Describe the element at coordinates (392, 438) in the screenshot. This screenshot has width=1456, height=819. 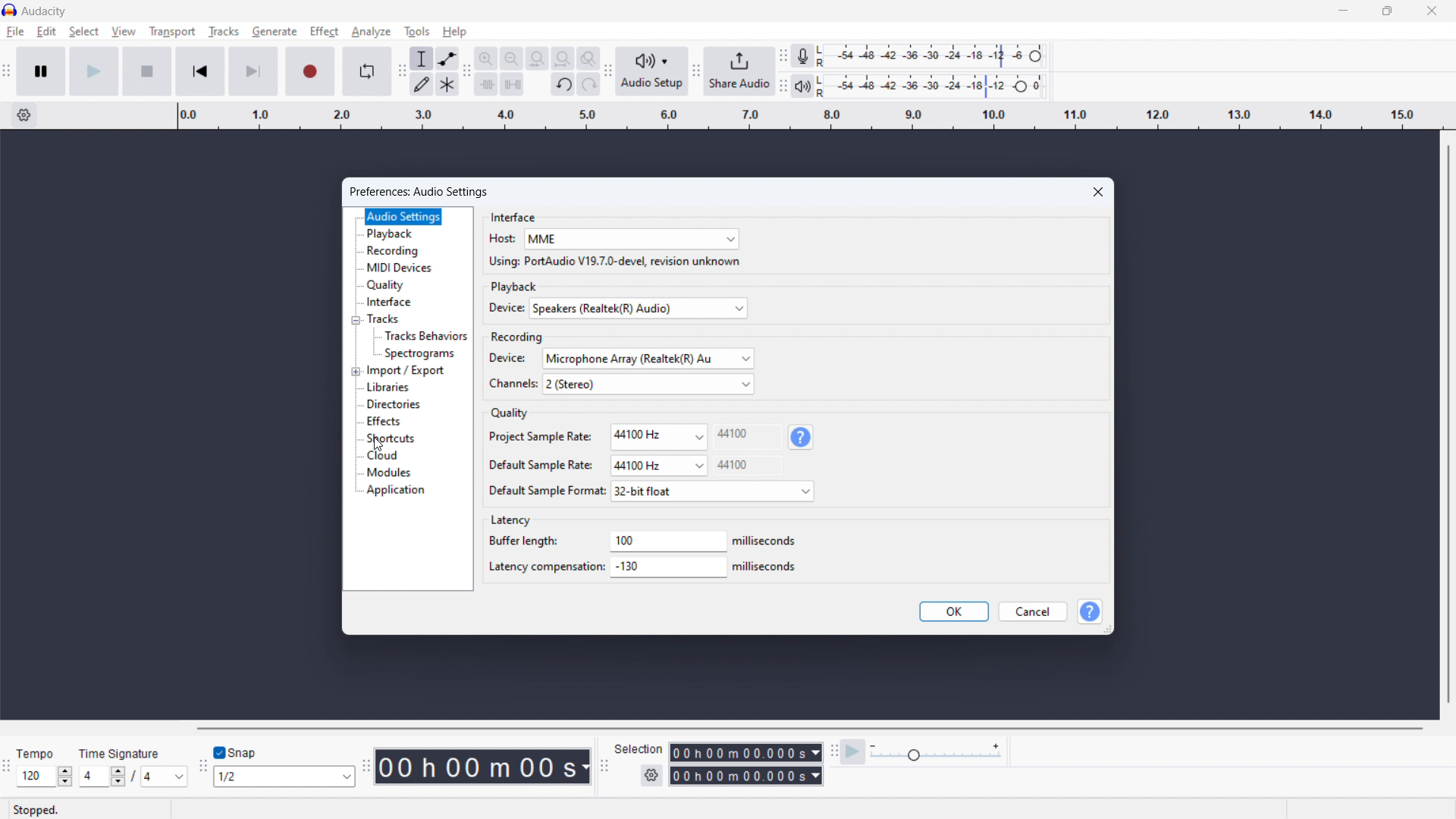
I see `shortcuts` at that location.